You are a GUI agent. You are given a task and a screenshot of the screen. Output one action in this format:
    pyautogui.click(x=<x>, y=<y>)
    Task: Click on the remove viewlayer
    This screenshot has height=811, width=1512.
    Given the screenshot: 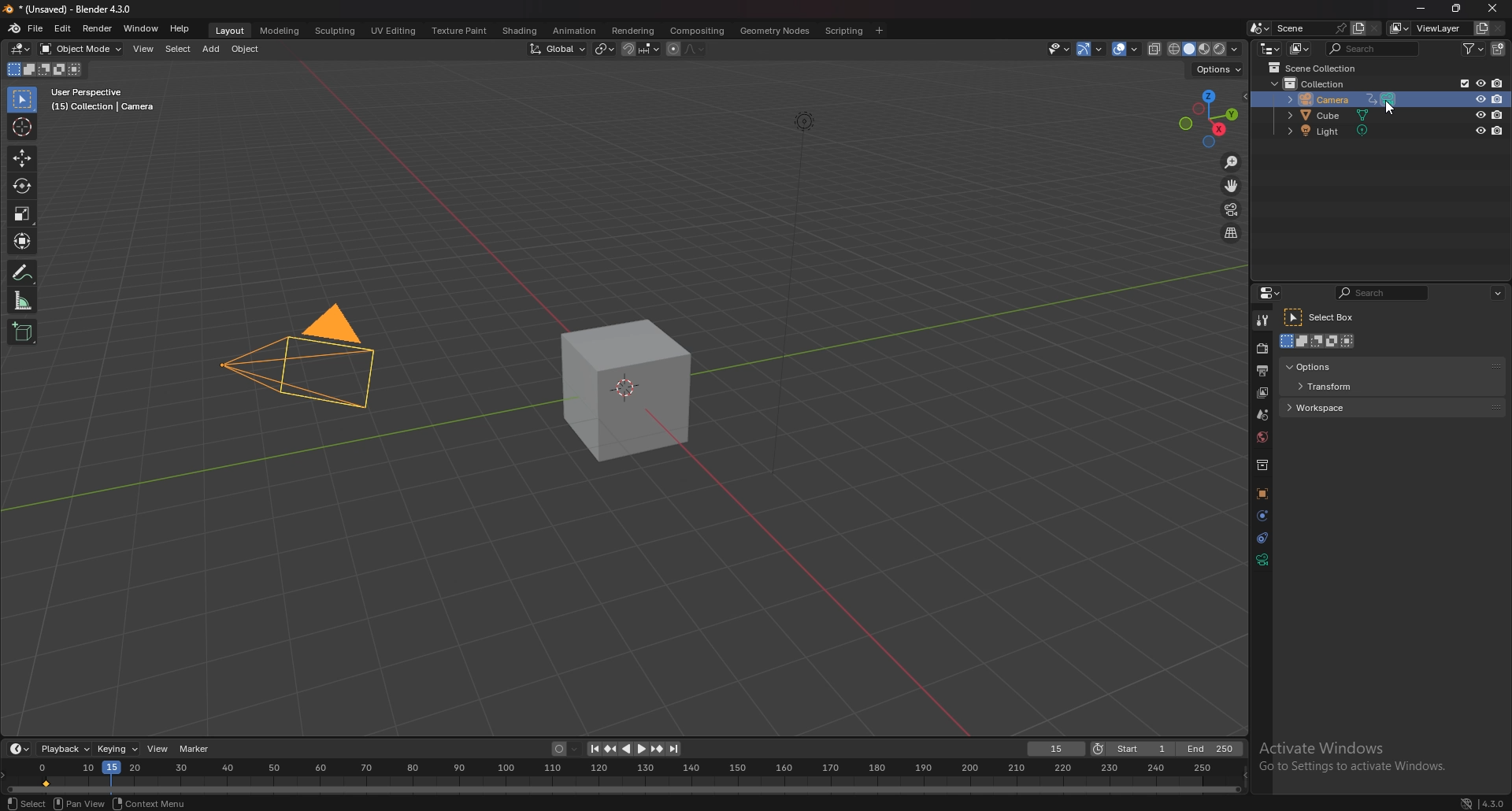 What is the action you would take?
    pyautogui.click(x=1499, y=28)
    